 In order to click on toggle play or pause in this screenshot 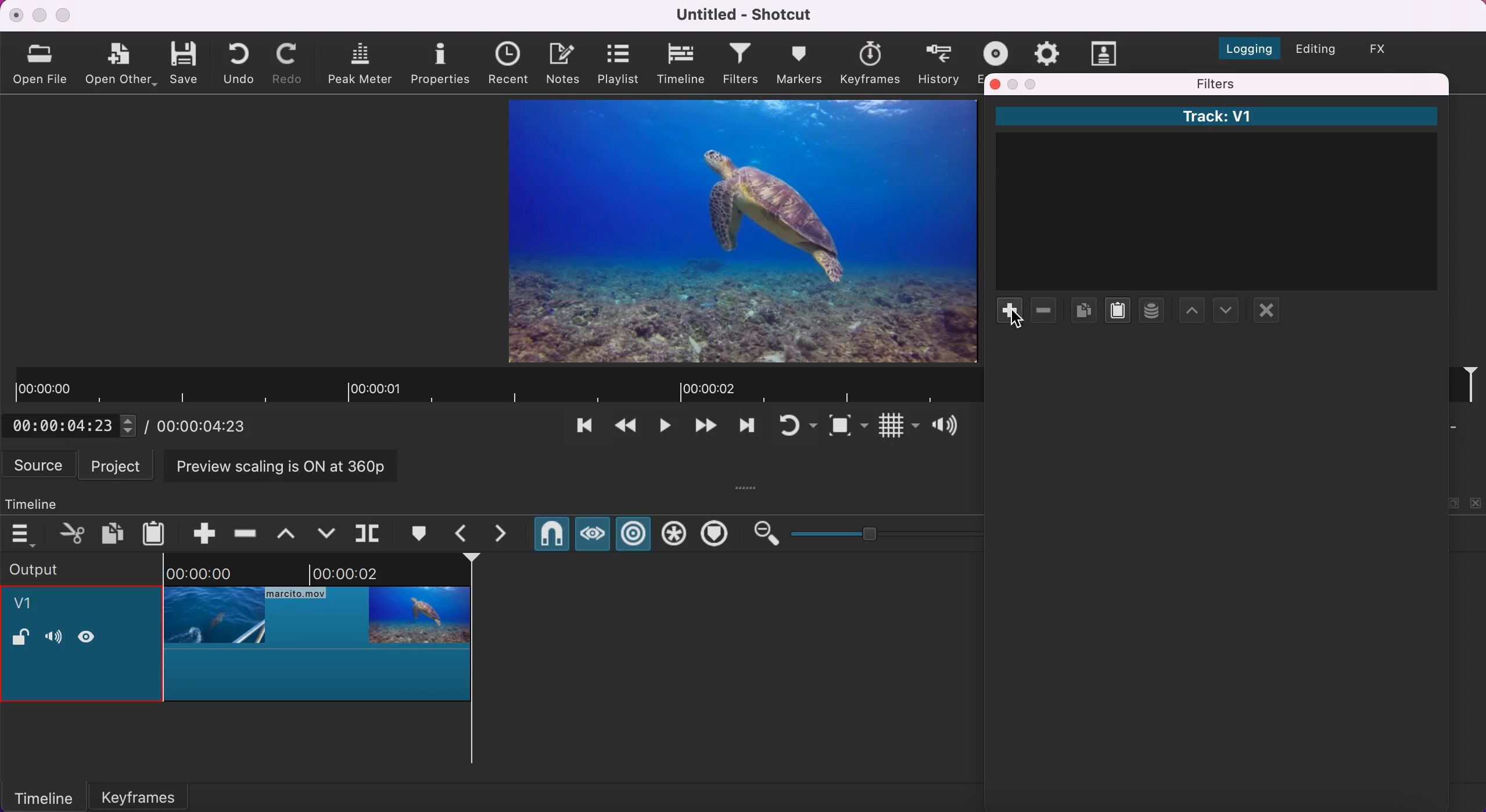, I will do `click(665, 429)`.